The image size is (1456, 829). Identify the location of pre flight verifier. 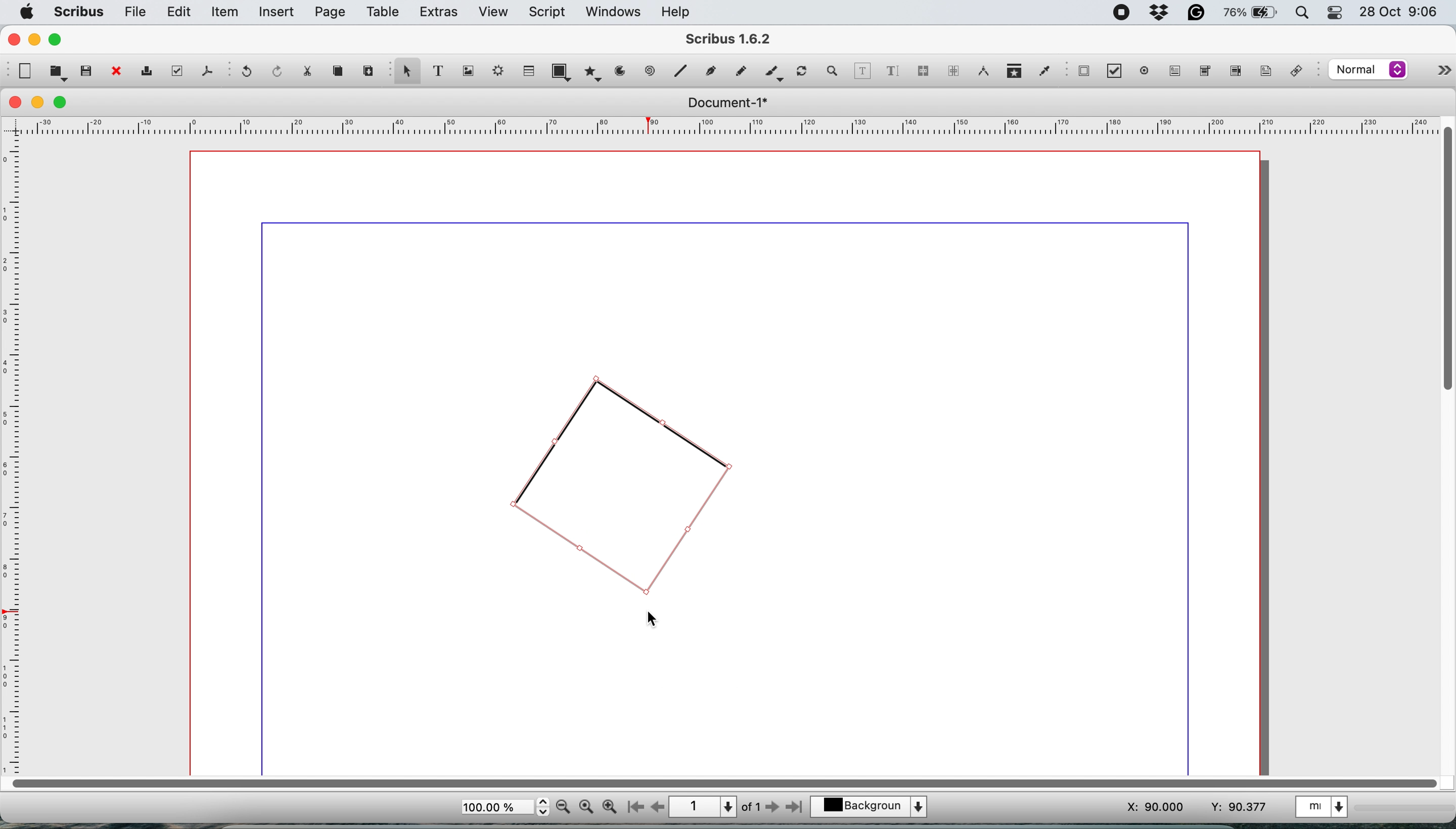
(178, 72).